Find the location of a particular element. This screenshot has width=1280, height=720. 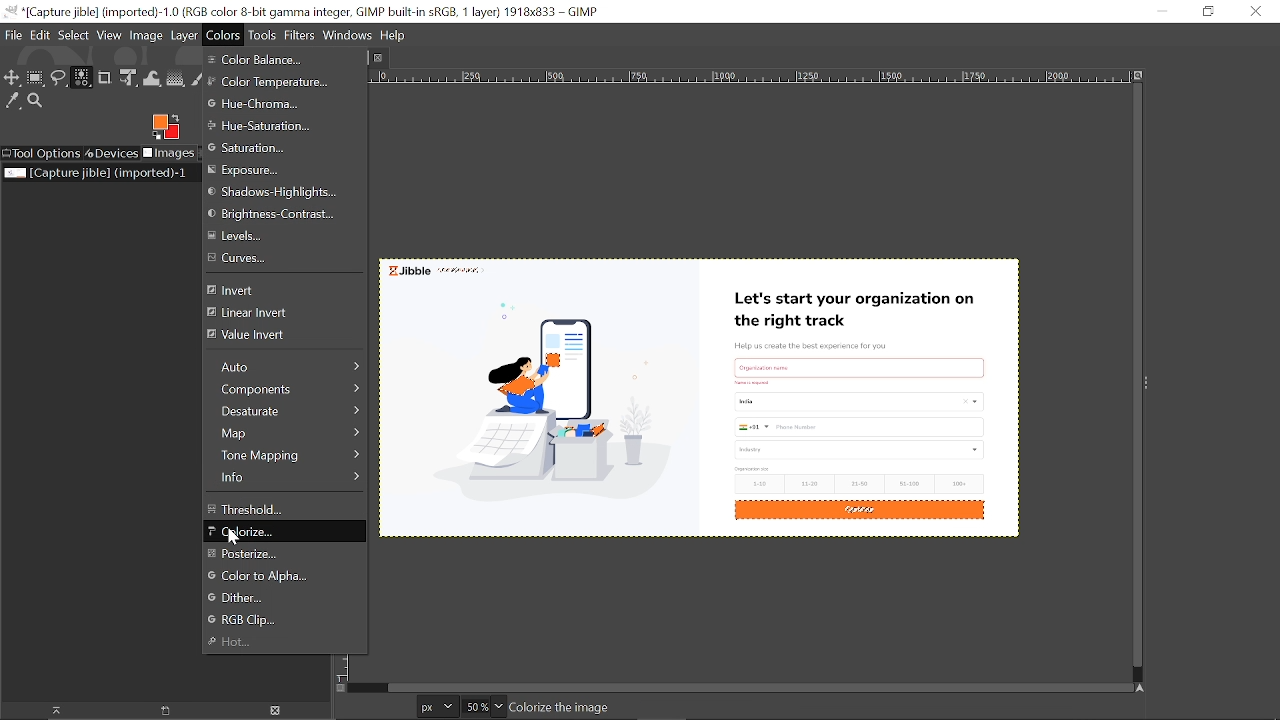

Free select tool is located at coordinates (59, 80).